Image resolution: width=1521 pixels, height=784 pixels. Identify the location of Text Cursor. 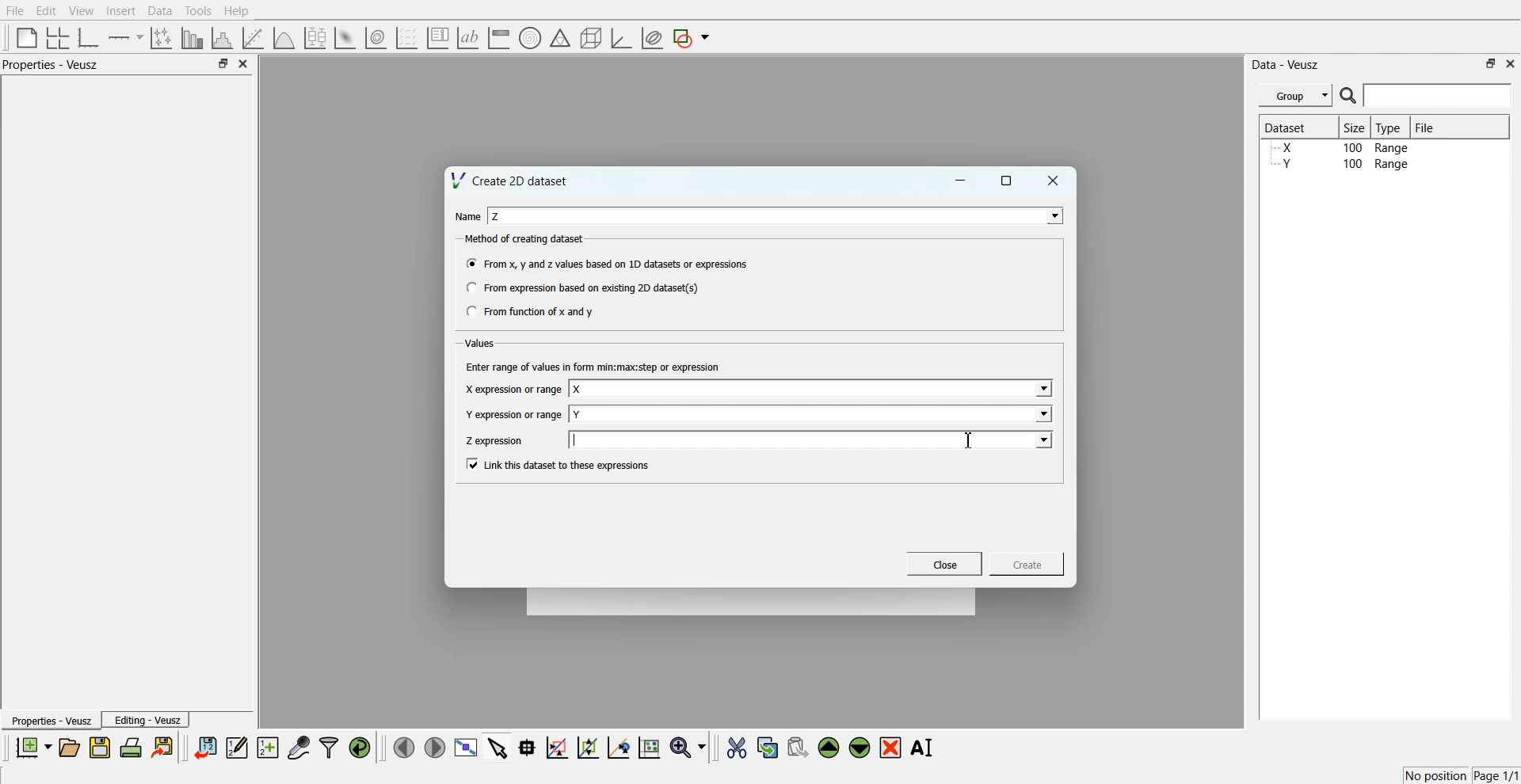
(971, 440).